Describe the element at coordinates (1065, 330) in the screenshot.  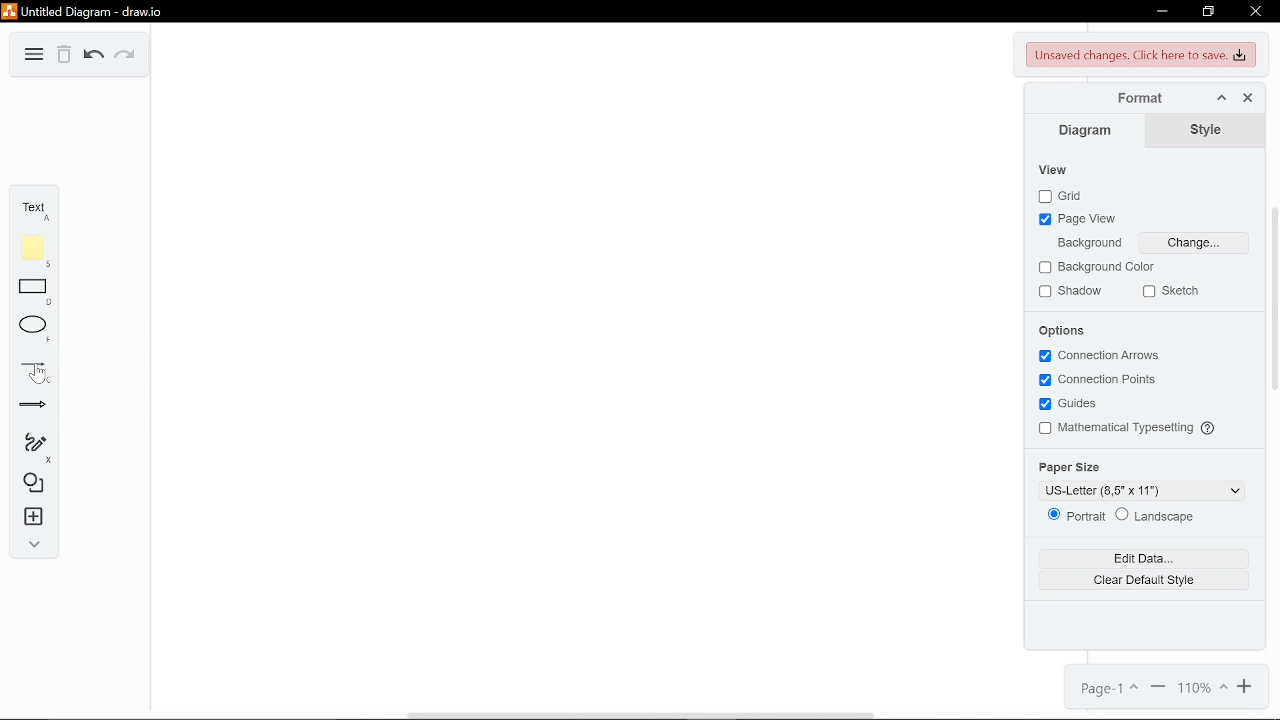
I see `Options` at that location.